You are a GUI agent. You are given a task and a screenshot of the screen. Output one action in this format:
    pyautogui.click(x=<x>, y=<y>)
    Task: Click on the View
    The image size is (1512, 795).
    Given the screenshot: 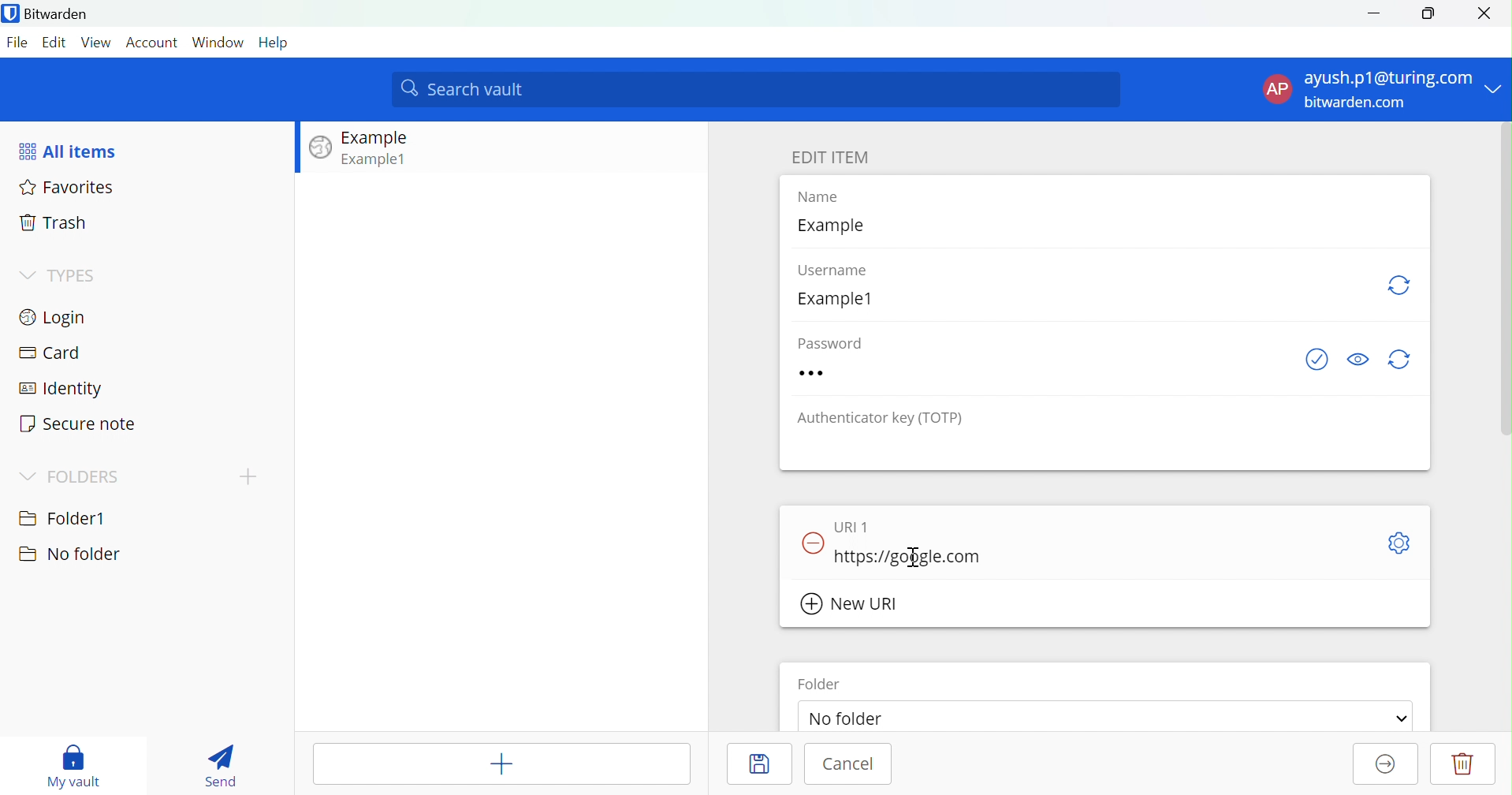 What is the action you would take?
    pyautogui.click(x=98, y=42)
    